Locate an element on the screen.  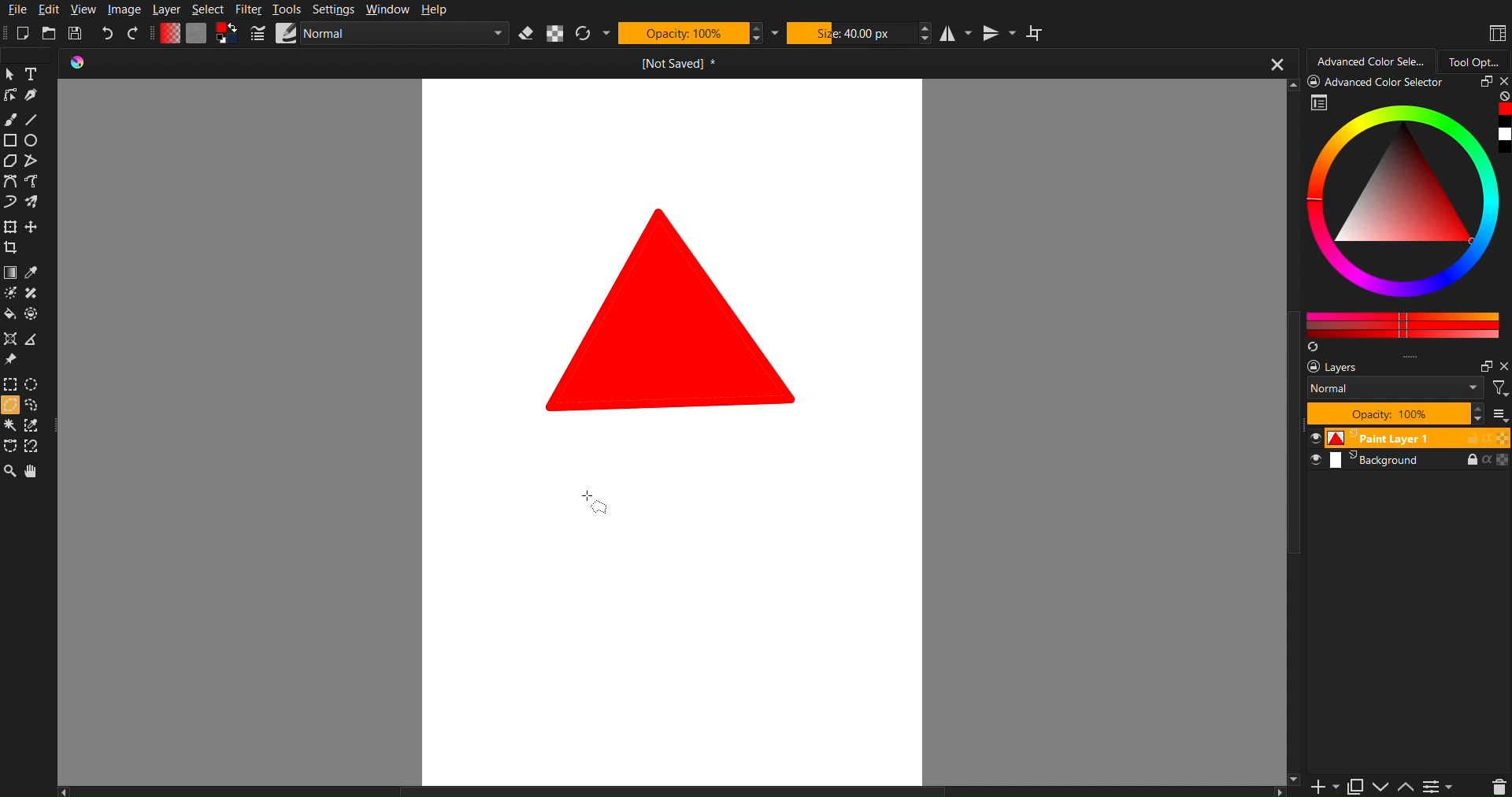
Crop is located at coordinates (13, 250).